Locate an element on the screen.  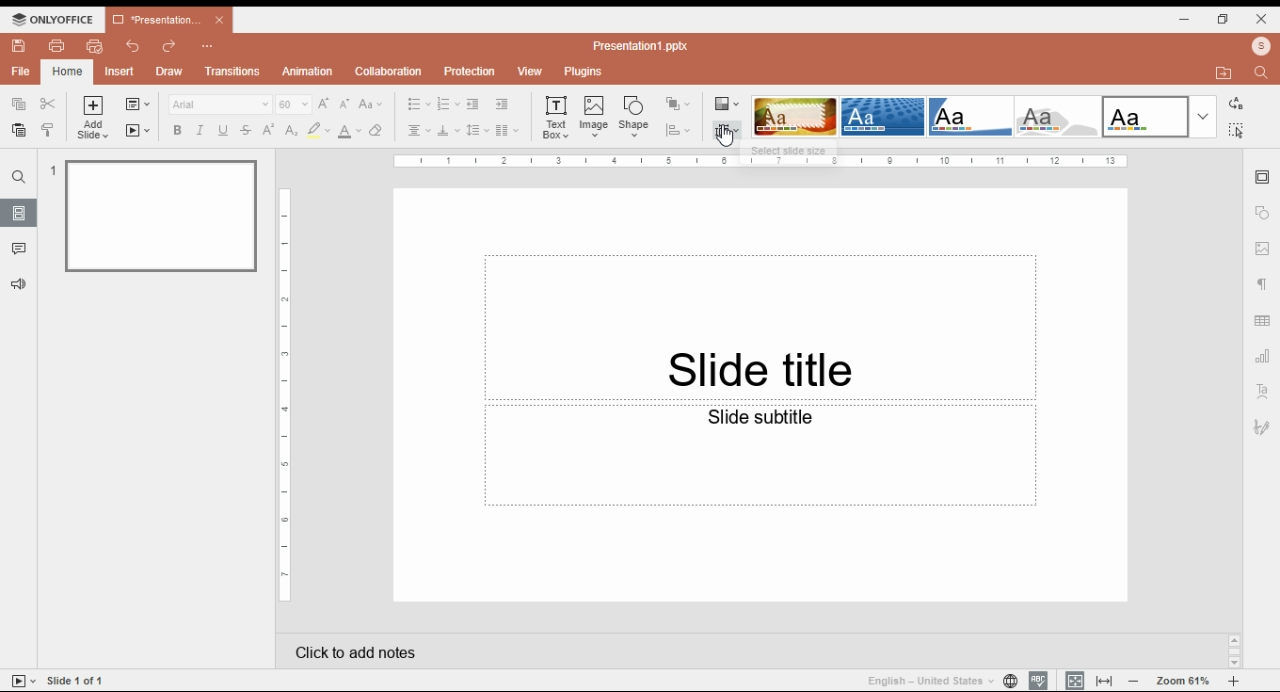
file is located at coordinates (21, 71).